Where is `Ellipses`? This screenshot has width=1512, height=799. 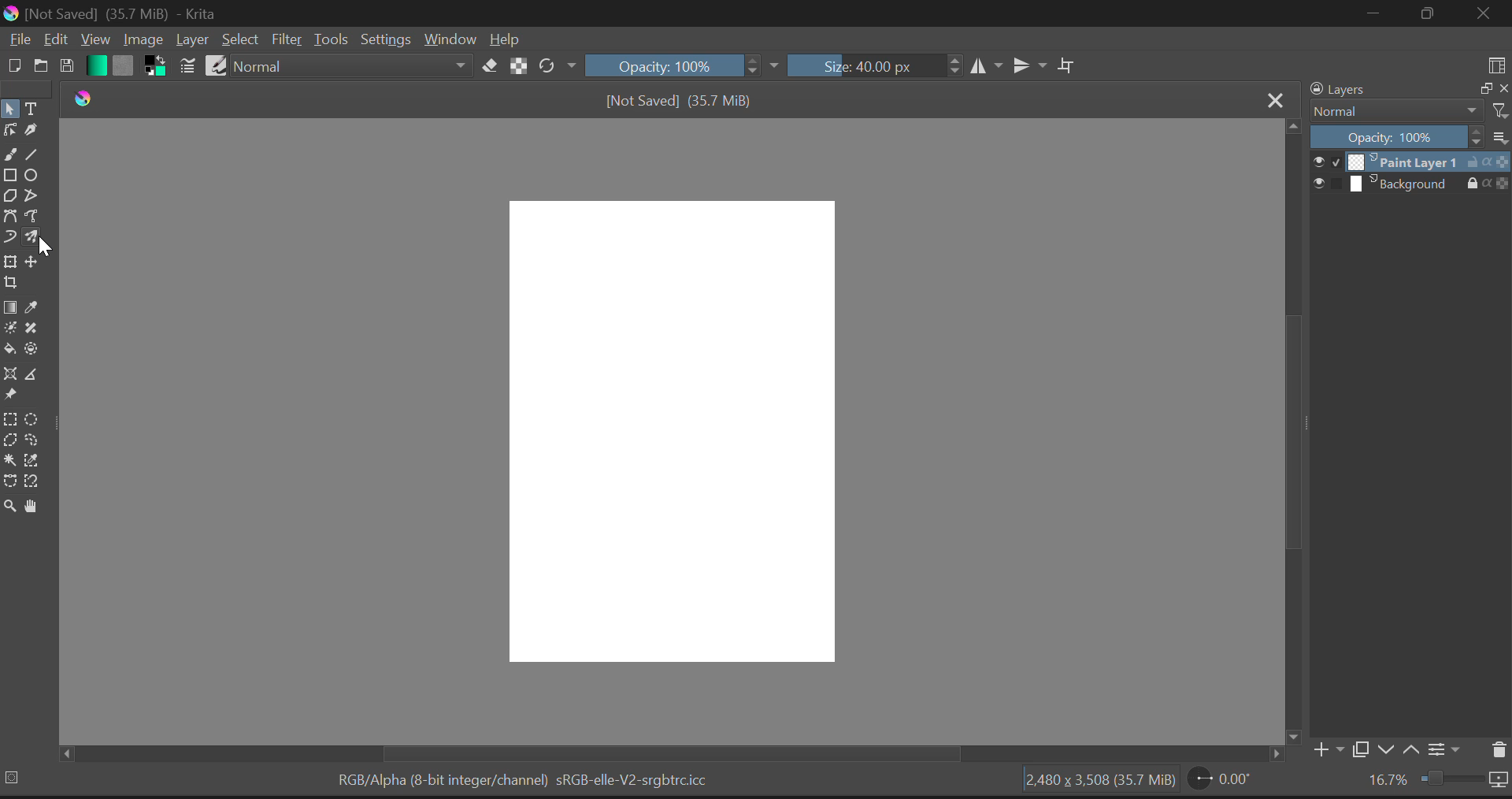
Ellipses is located at coordinates (34, 175).